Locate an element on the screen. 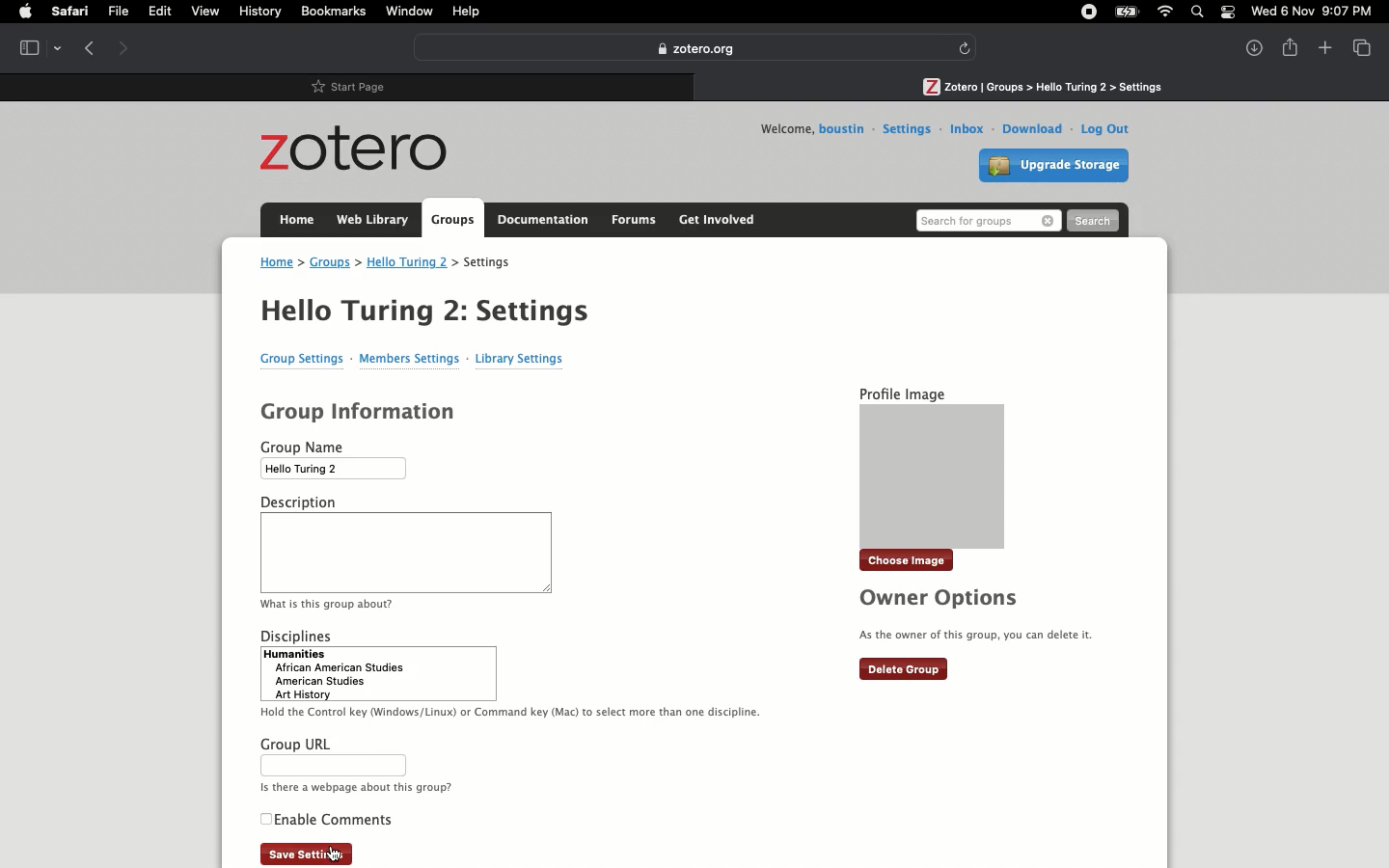 The height and width of the screenshot is (868, 1389). New tab is located at coordinates (1323, 48).